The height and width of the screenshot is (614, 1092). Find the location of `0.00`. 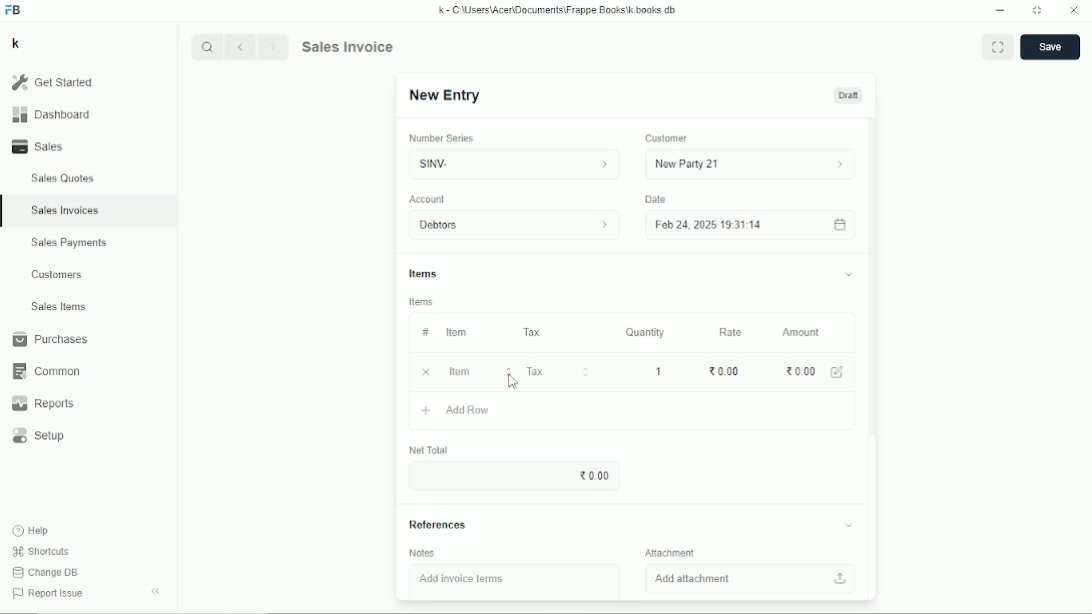

0.00 is located at coordinates (800, 371).